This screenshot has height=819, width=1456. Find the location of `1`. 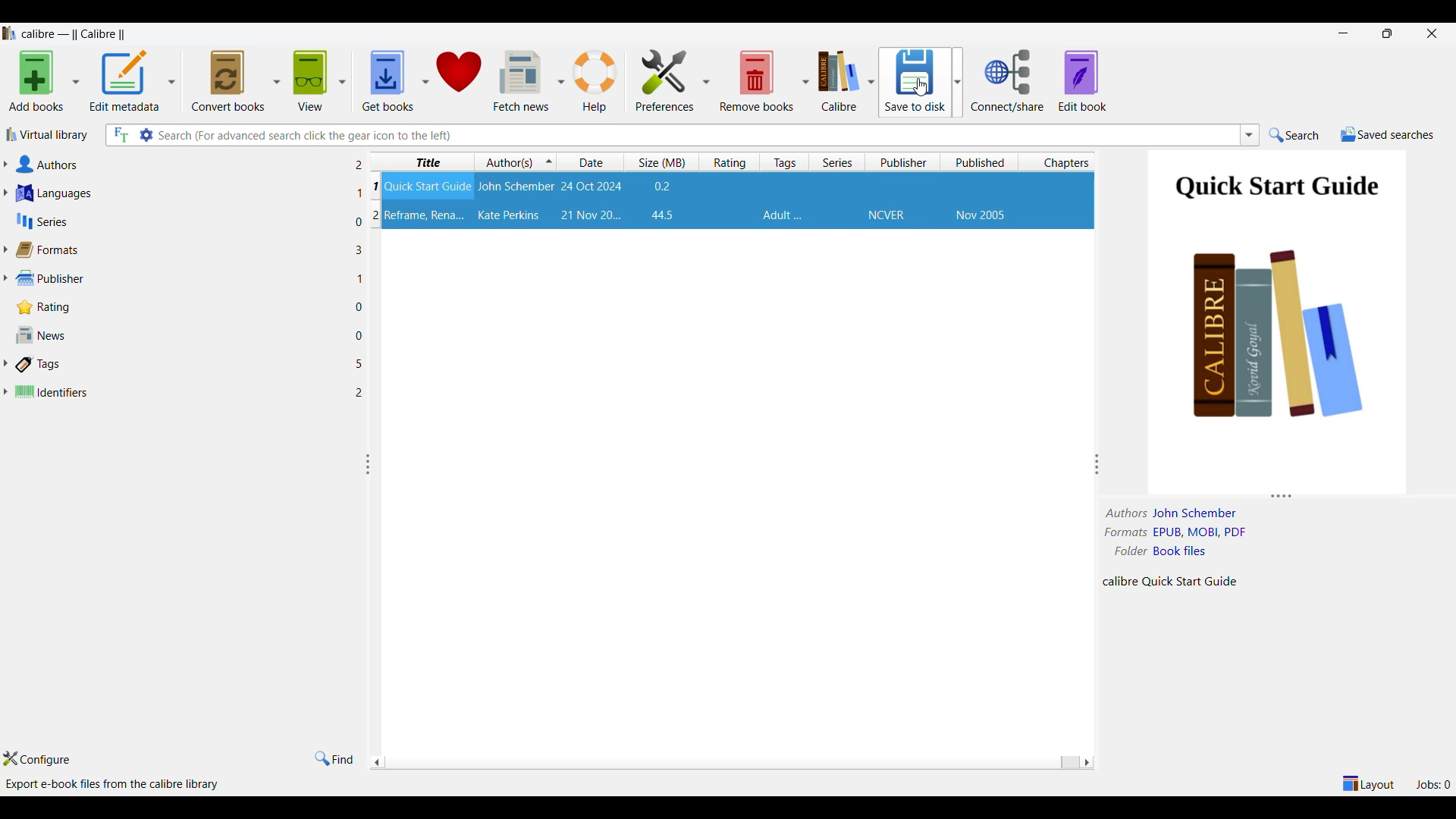

1 is located at coordinates (362, 278).